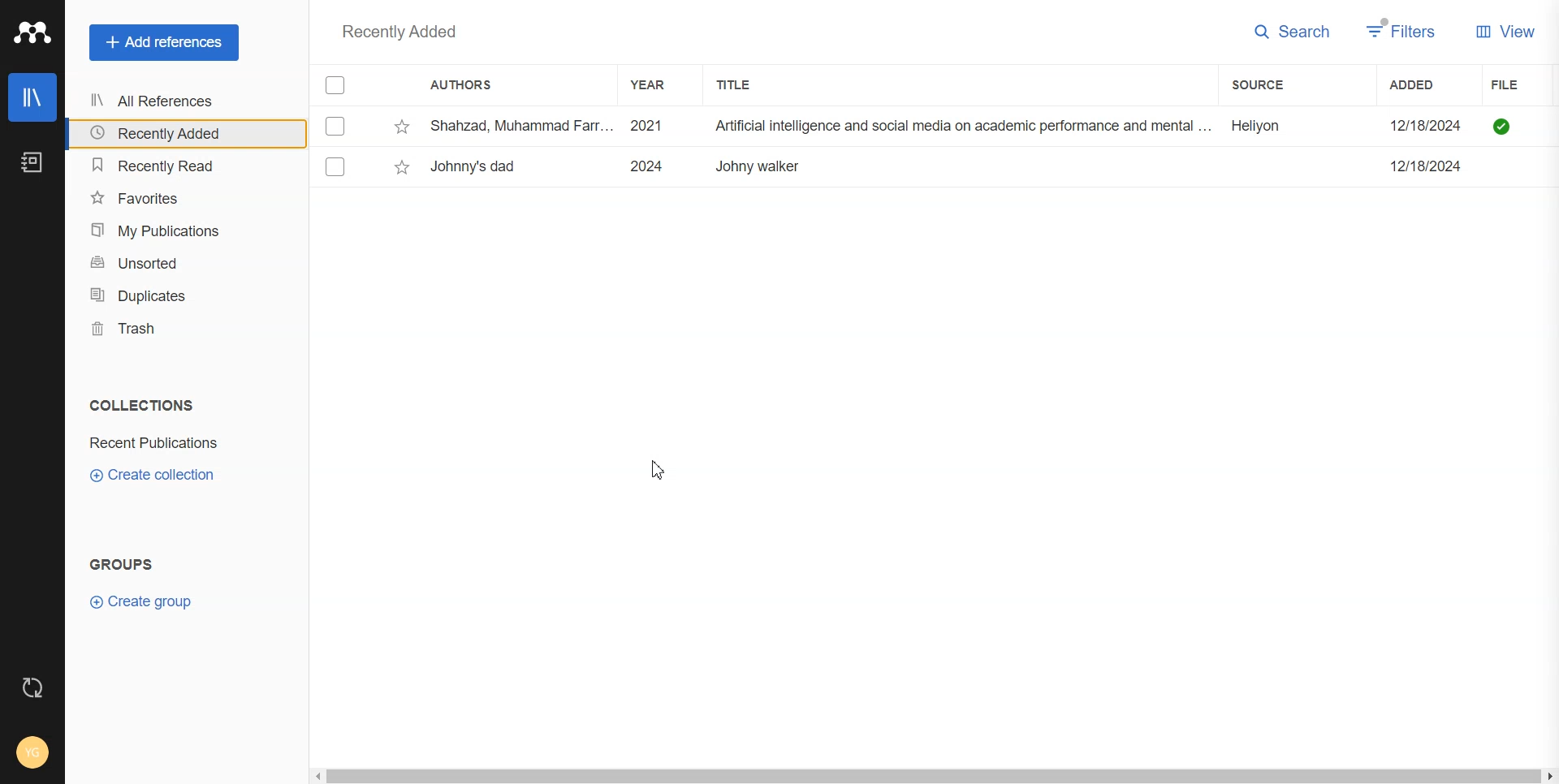 The image size is (1559, 784). I want to click on file available, so click(1502, 127).